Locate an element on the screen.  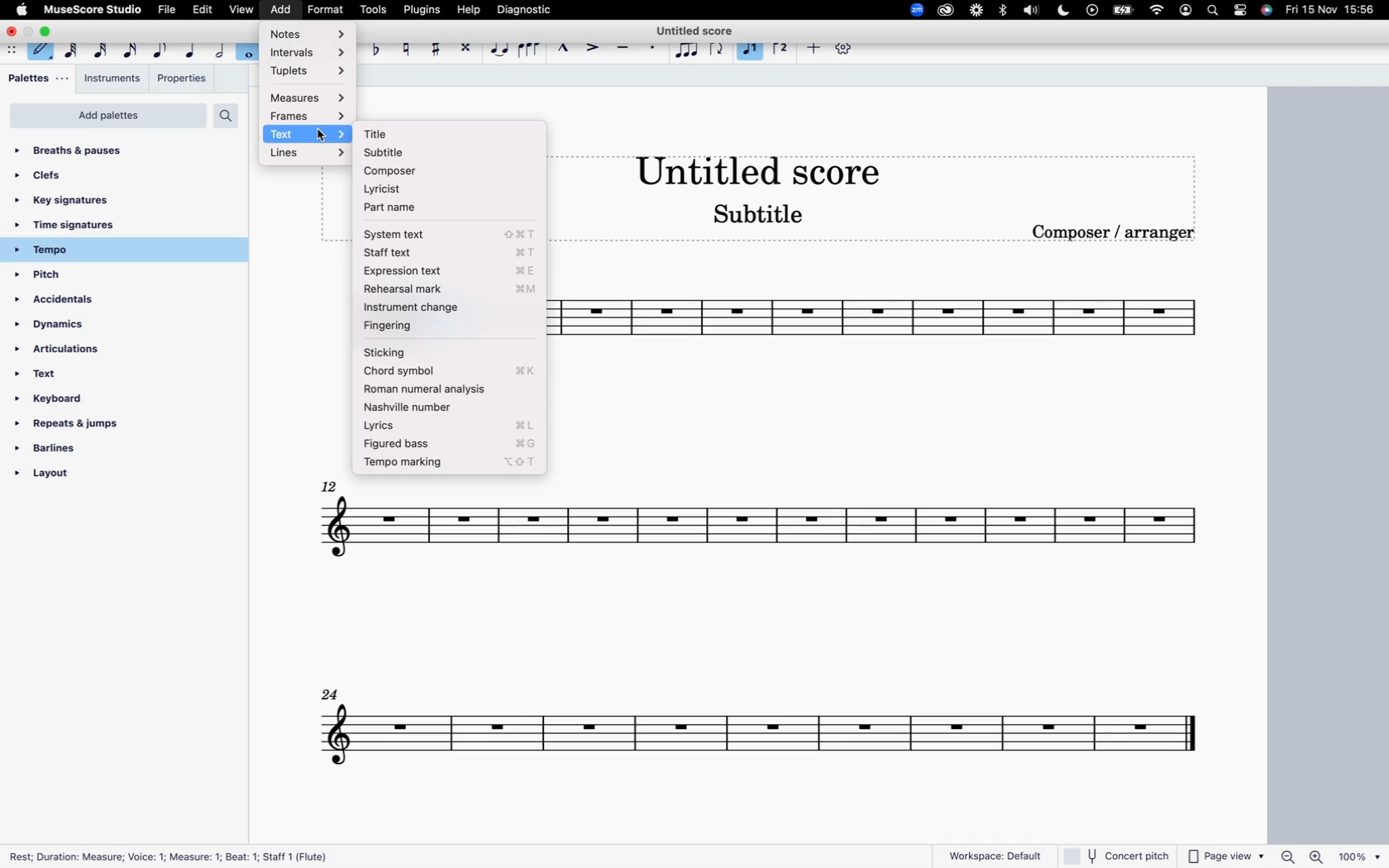
settings is located at coordinates (842, 48).